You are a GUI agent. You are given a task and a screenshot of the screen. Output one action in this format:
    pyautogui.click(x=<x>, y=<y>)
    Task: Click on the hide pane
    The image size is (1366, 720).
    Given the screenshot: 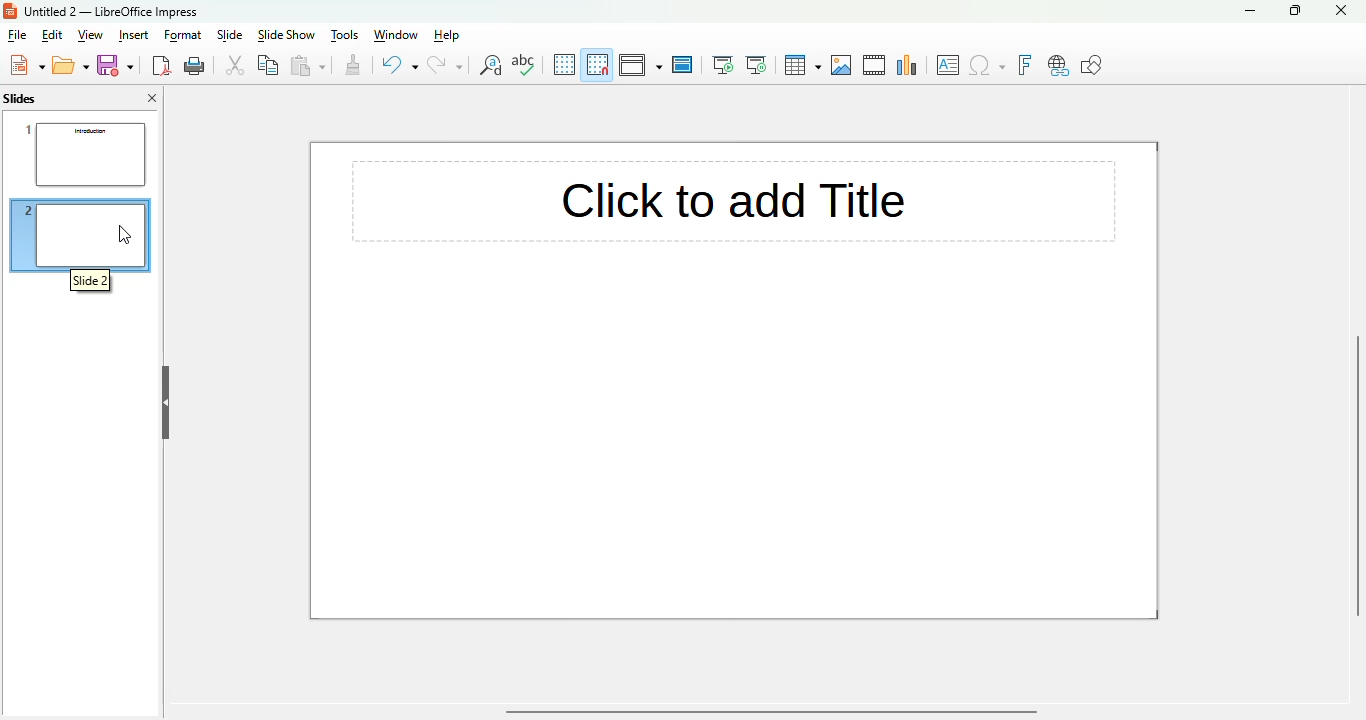 What is the action you would take?
    pyautogui.click(x=166, y=404)
    